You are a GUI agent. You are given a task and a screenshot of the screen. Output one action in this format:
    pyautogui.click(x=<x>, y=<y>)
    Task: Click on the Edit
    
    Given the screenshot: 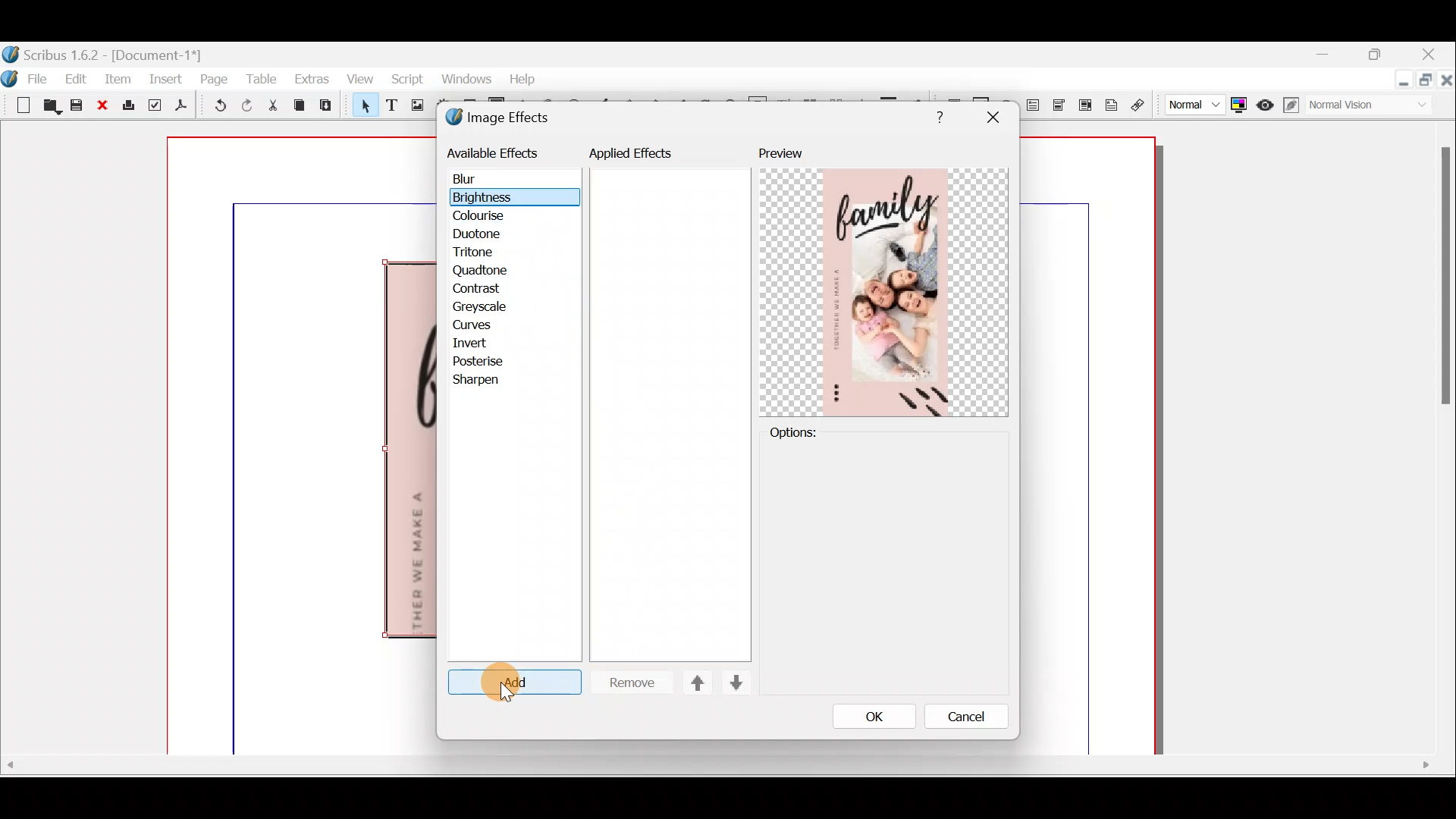 What is the action you would take?
    pyautogui.click(x=78, y=78)
    